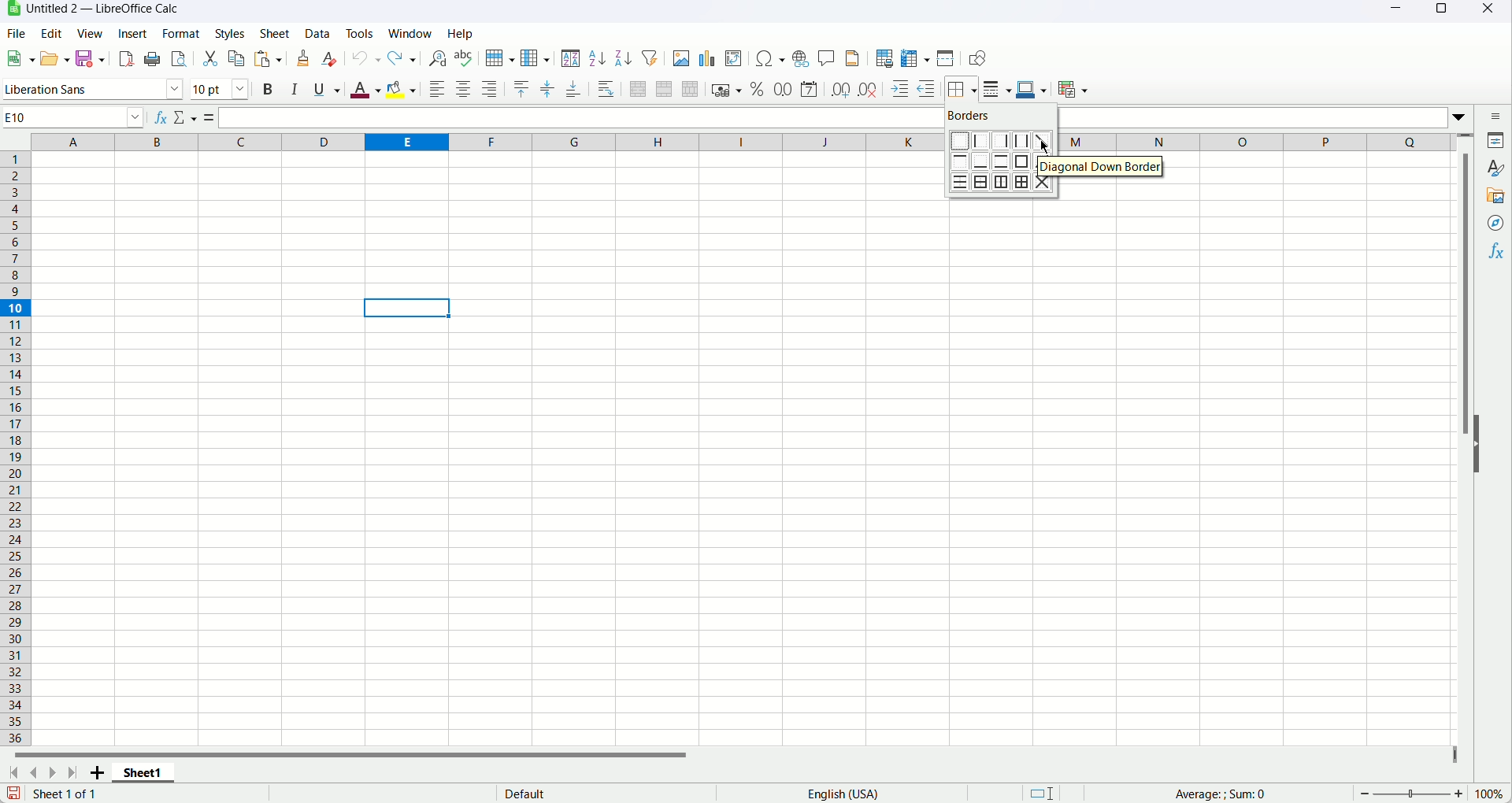  I want to click on Insert, so click(134, 32).